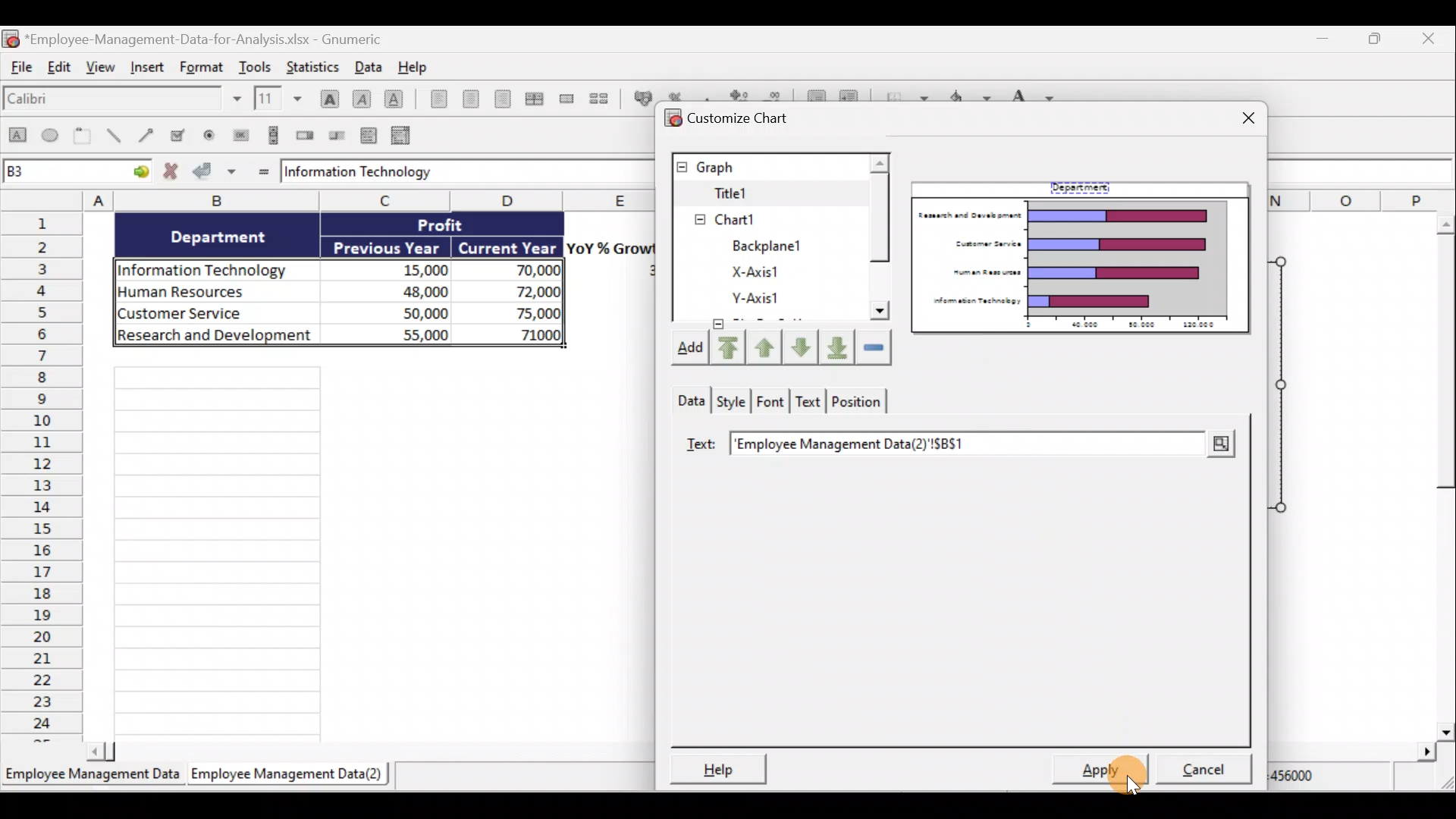  Describe the element at coordinates (275, 134) in the screenshot. I see `Create a scrollbar` at that location.